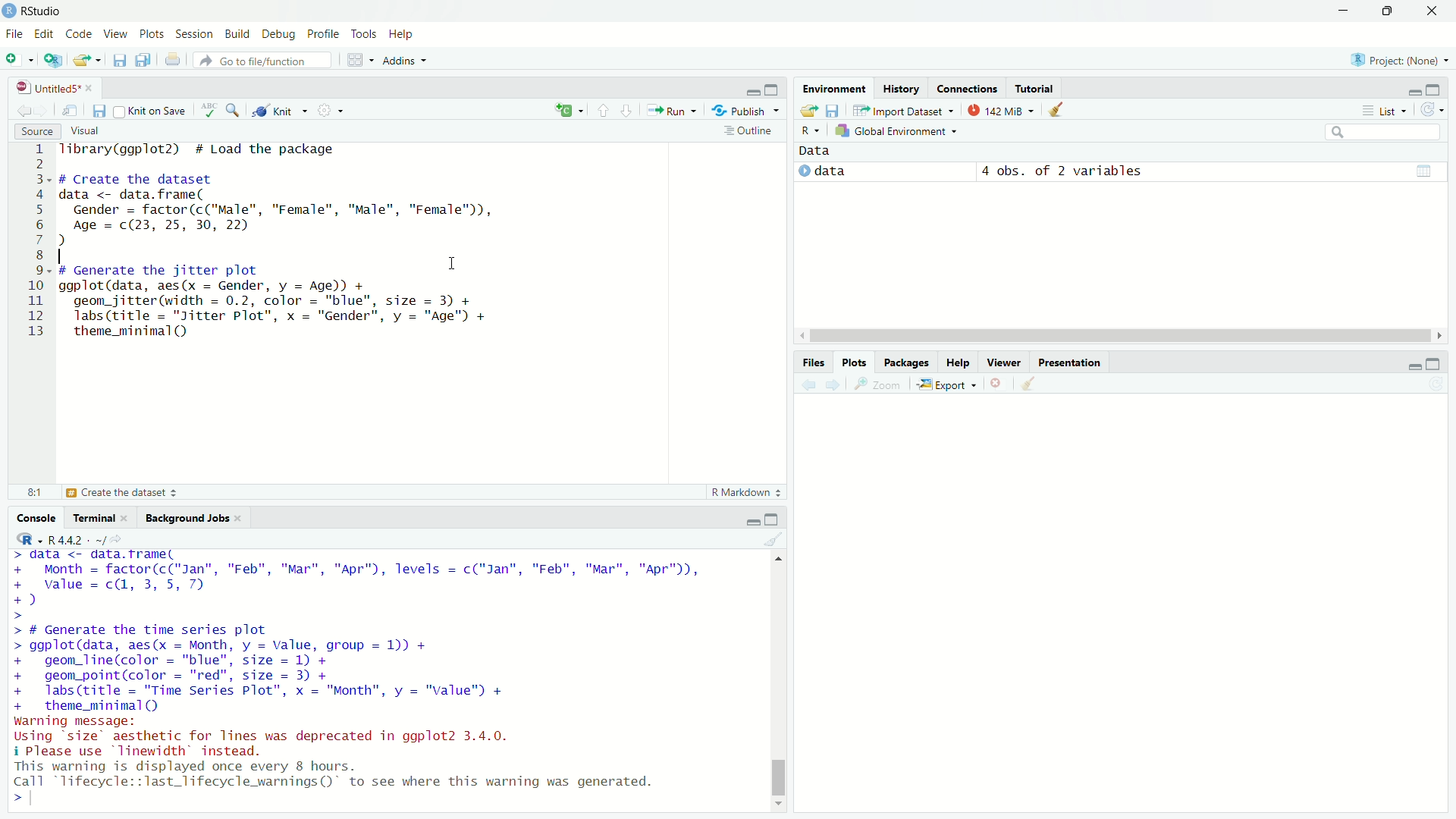 Image resolution: width=1456 pixels, height=819 pixels. I want to click on knit on save, so click(153, 110).